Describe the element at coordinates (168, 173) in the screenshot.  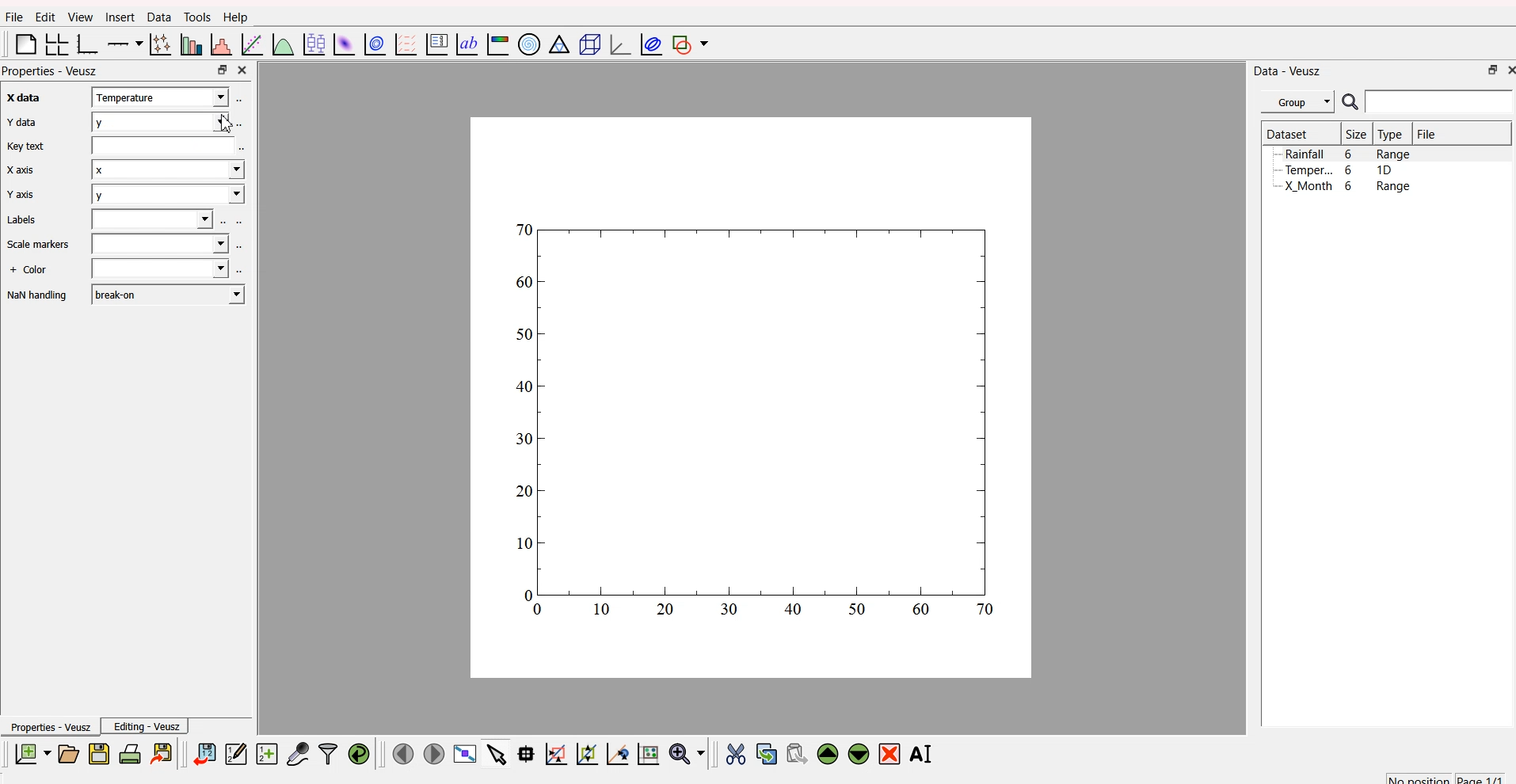
I see `x` at that location.